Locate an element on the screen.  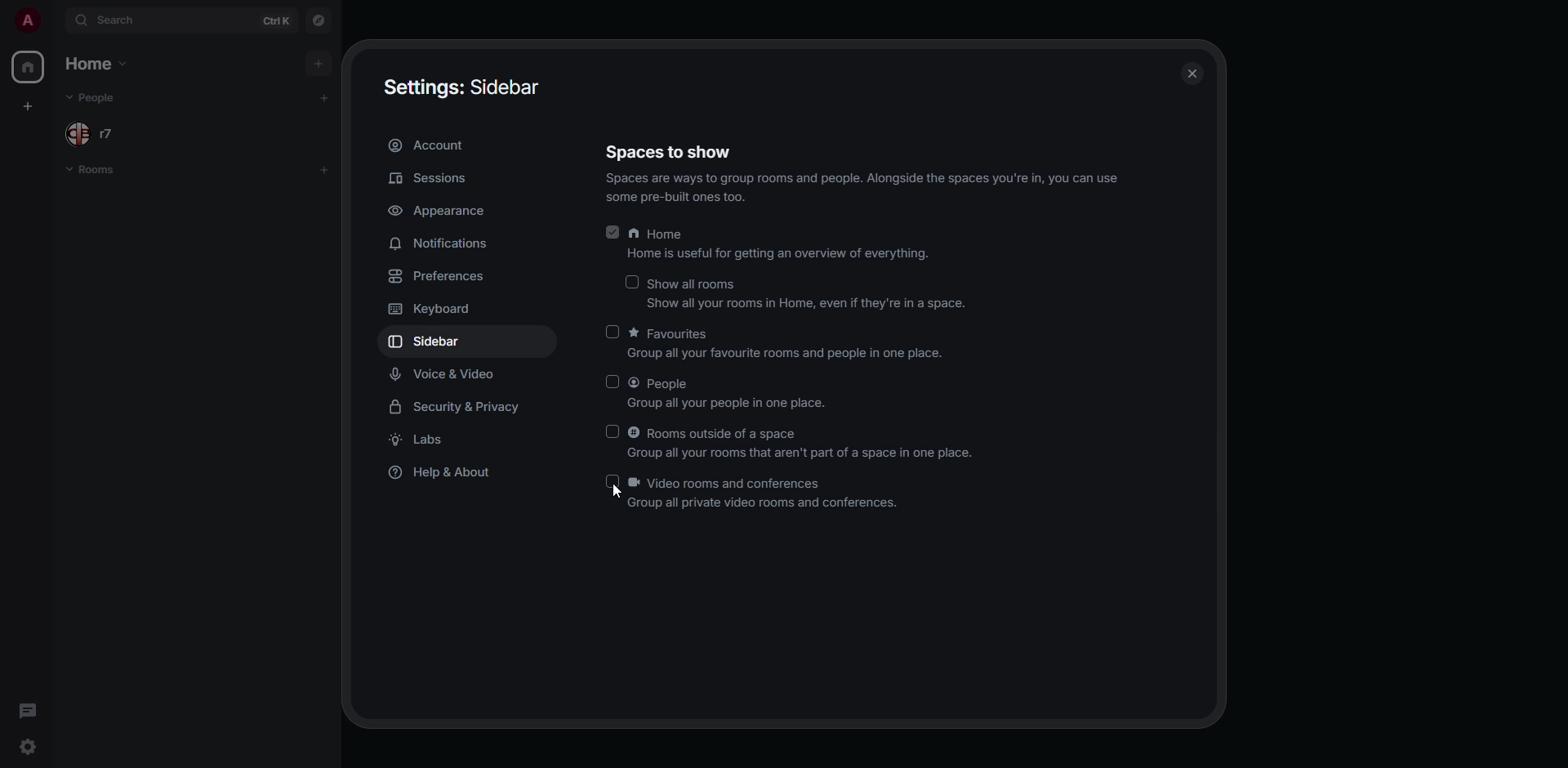
account is located at coordinates (427, 146).